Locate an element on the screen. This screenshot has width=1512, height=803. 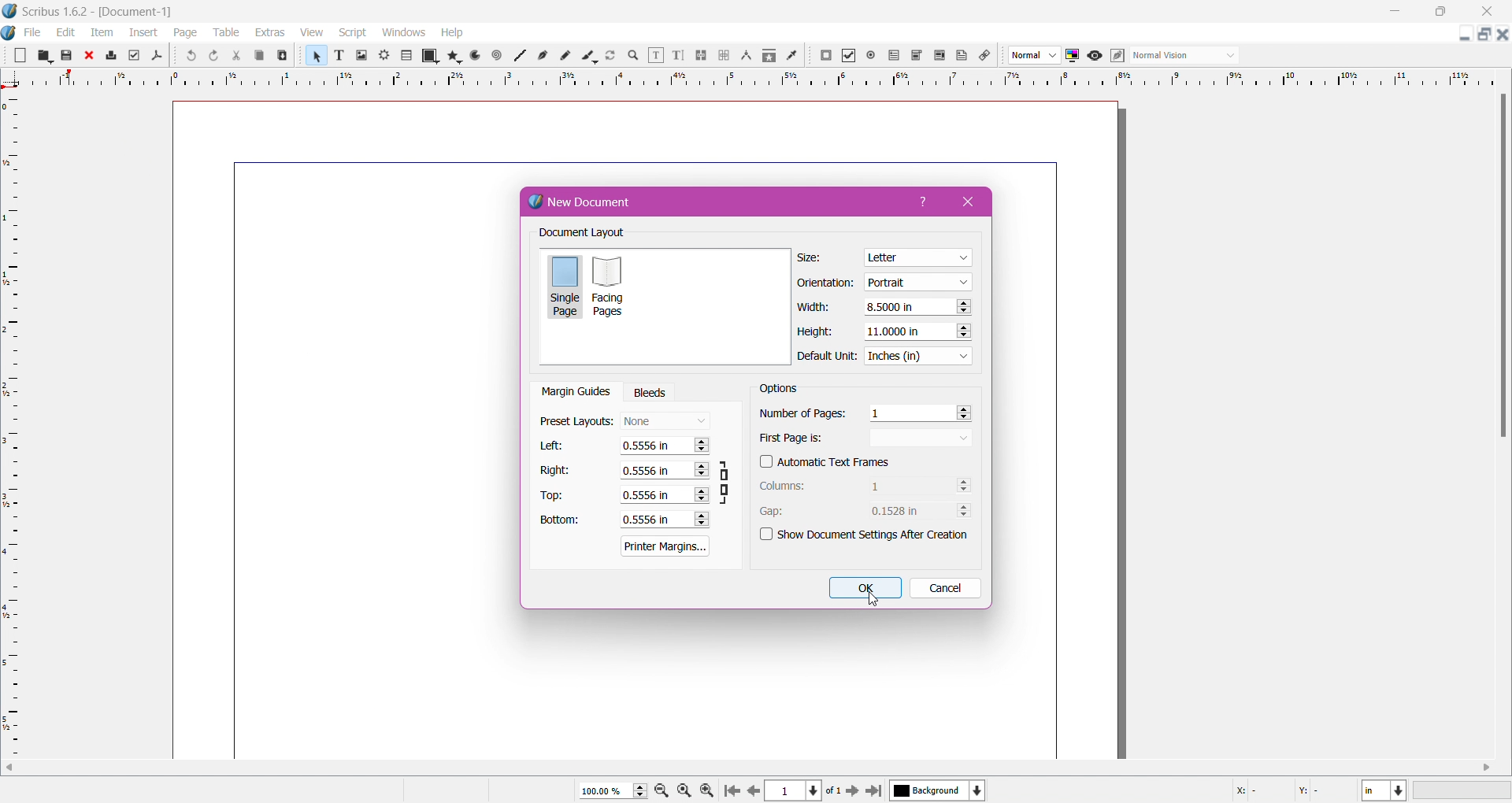
icon is located at coordinates (383, 54).